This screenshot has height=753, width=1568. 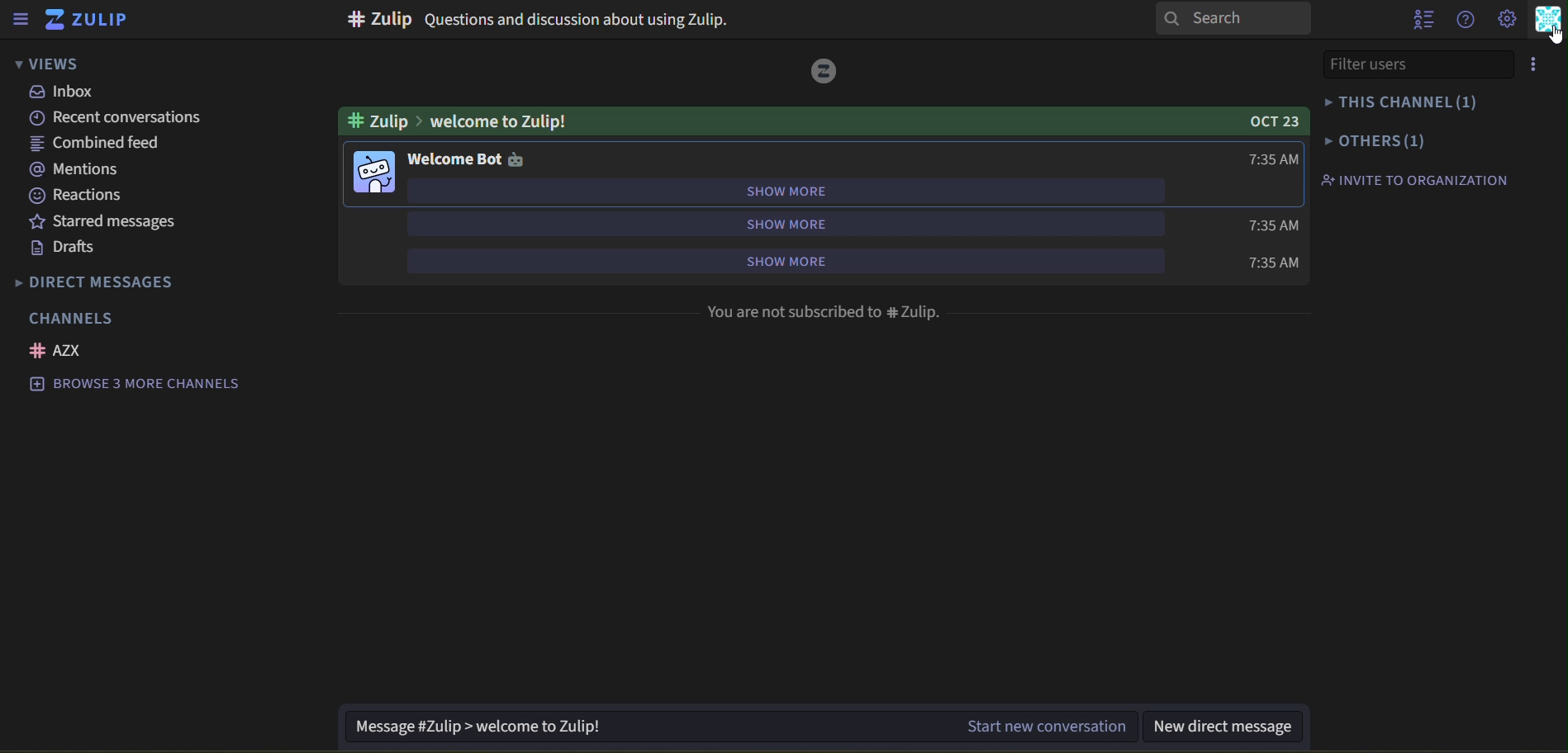 What do you see at coordinates (1271, 122) in the screenshot?
I see `OCT 23` at bounding box center [1271, 122].